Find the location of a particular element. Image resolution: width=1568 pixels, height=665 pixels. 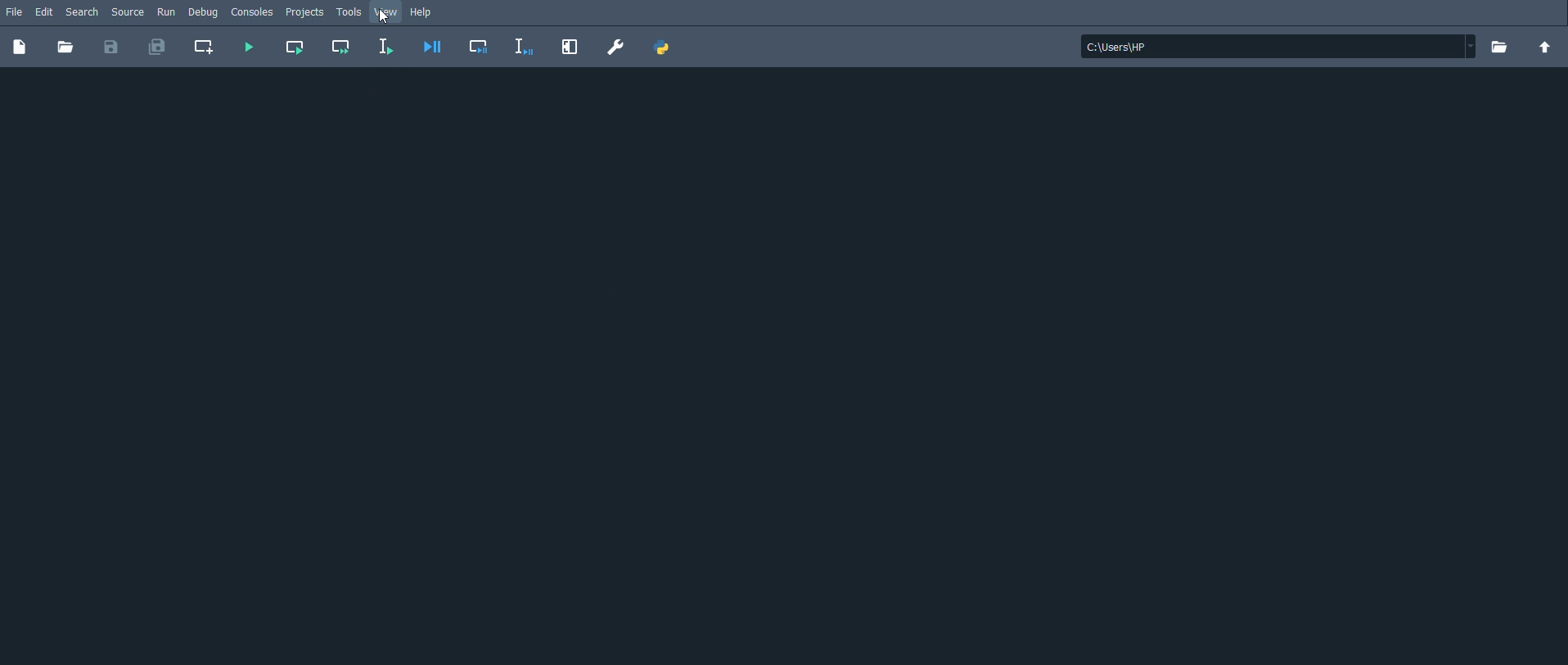

Run current cell is located at coordinates (296, 47).